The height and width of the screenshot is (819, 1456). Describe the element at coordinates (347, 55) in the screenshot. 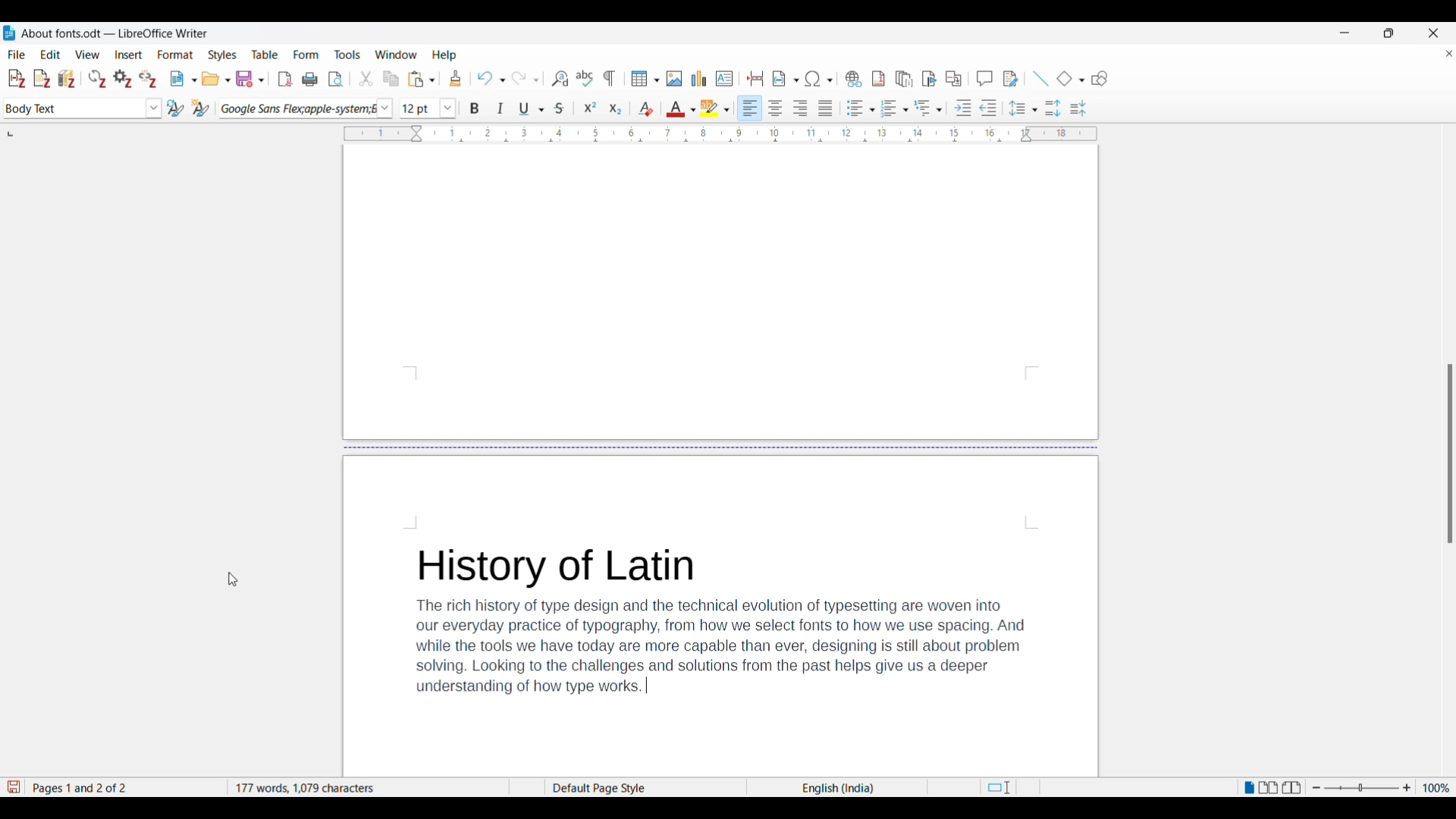

I see `Tools menu` at that location.